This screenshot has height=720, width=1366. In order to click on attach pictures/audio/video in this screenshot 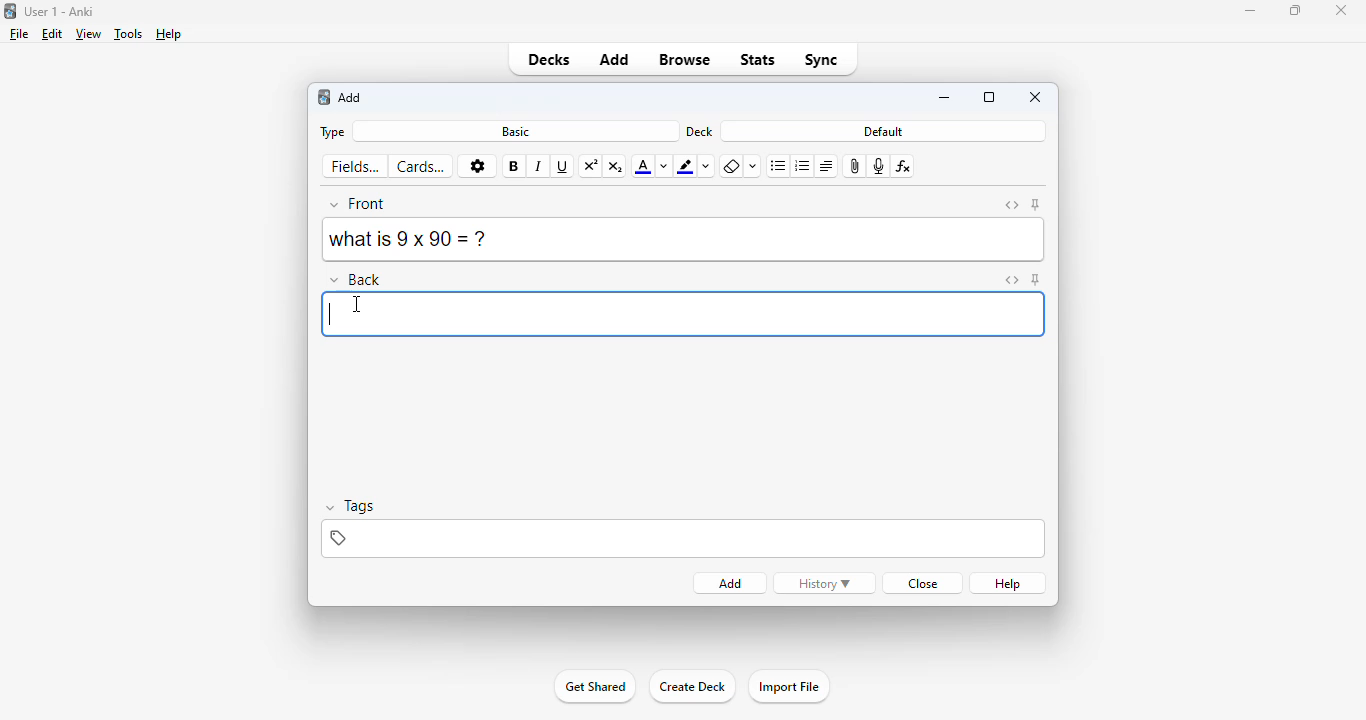, I will do `click(856, 166)`.